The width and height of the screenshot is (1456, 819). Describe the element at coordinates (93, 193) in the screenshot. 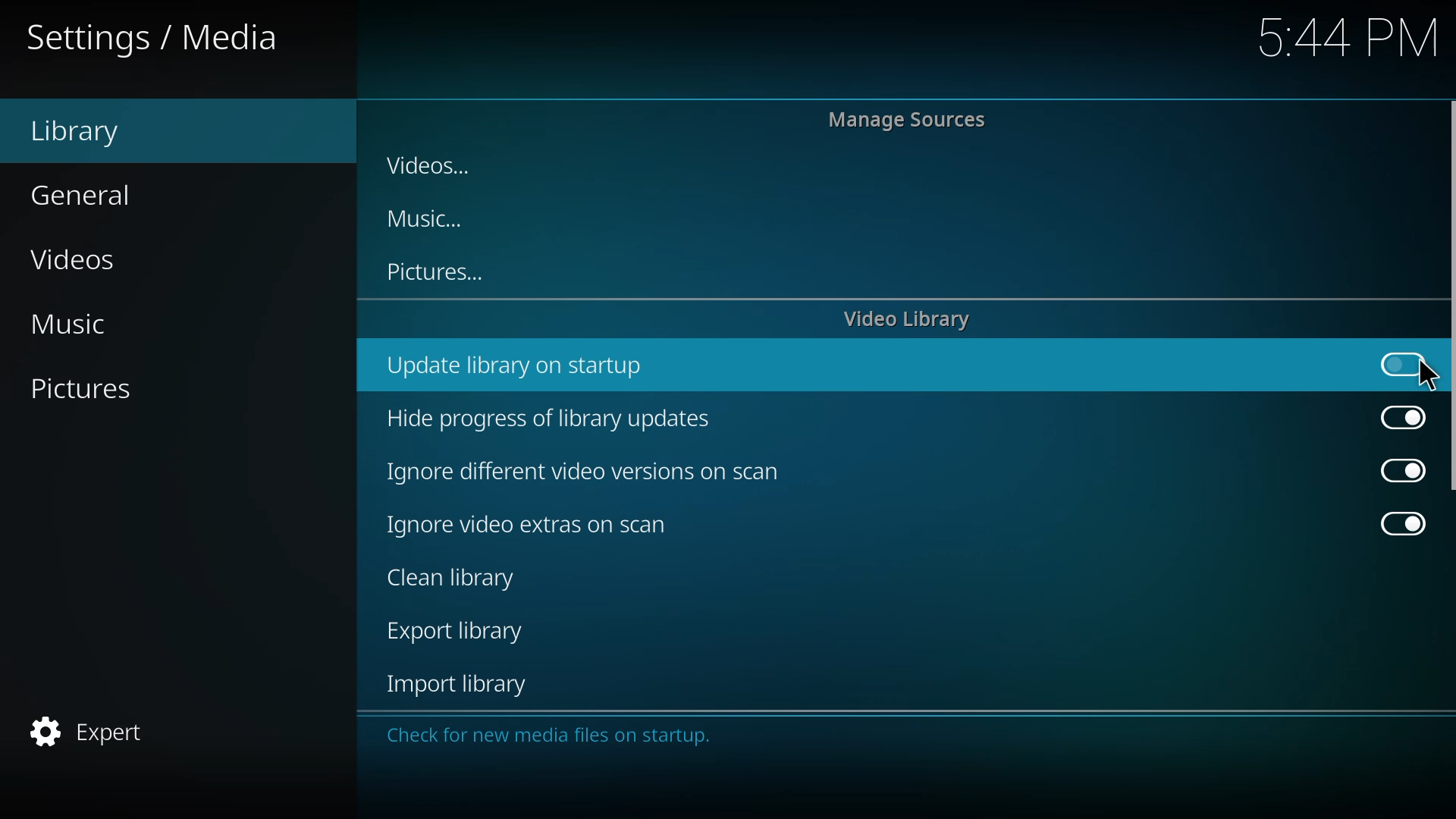

I see `general` at that location.